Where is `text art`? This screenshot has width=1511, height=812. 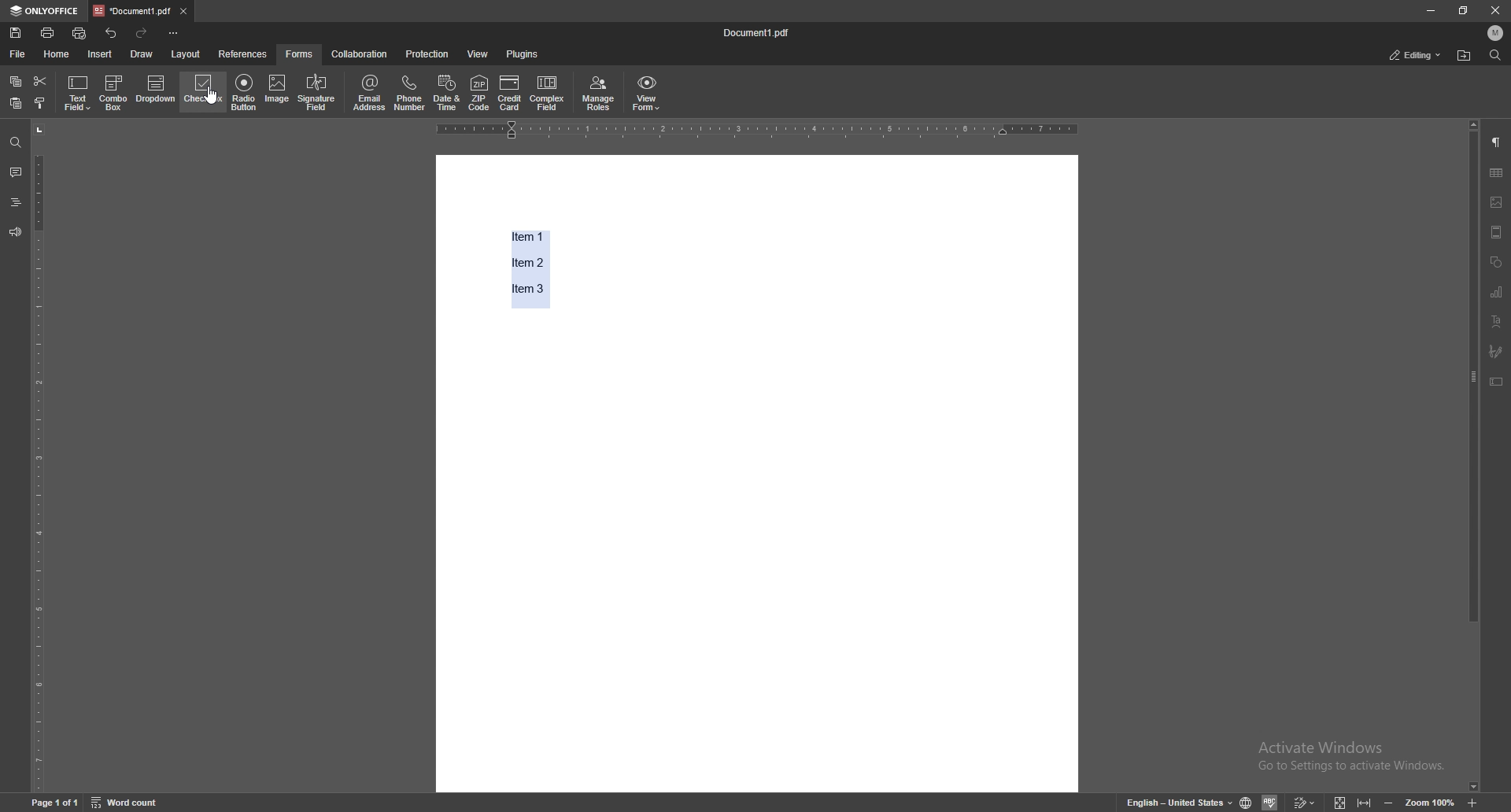
text art is located at coordinates (1498, 322).